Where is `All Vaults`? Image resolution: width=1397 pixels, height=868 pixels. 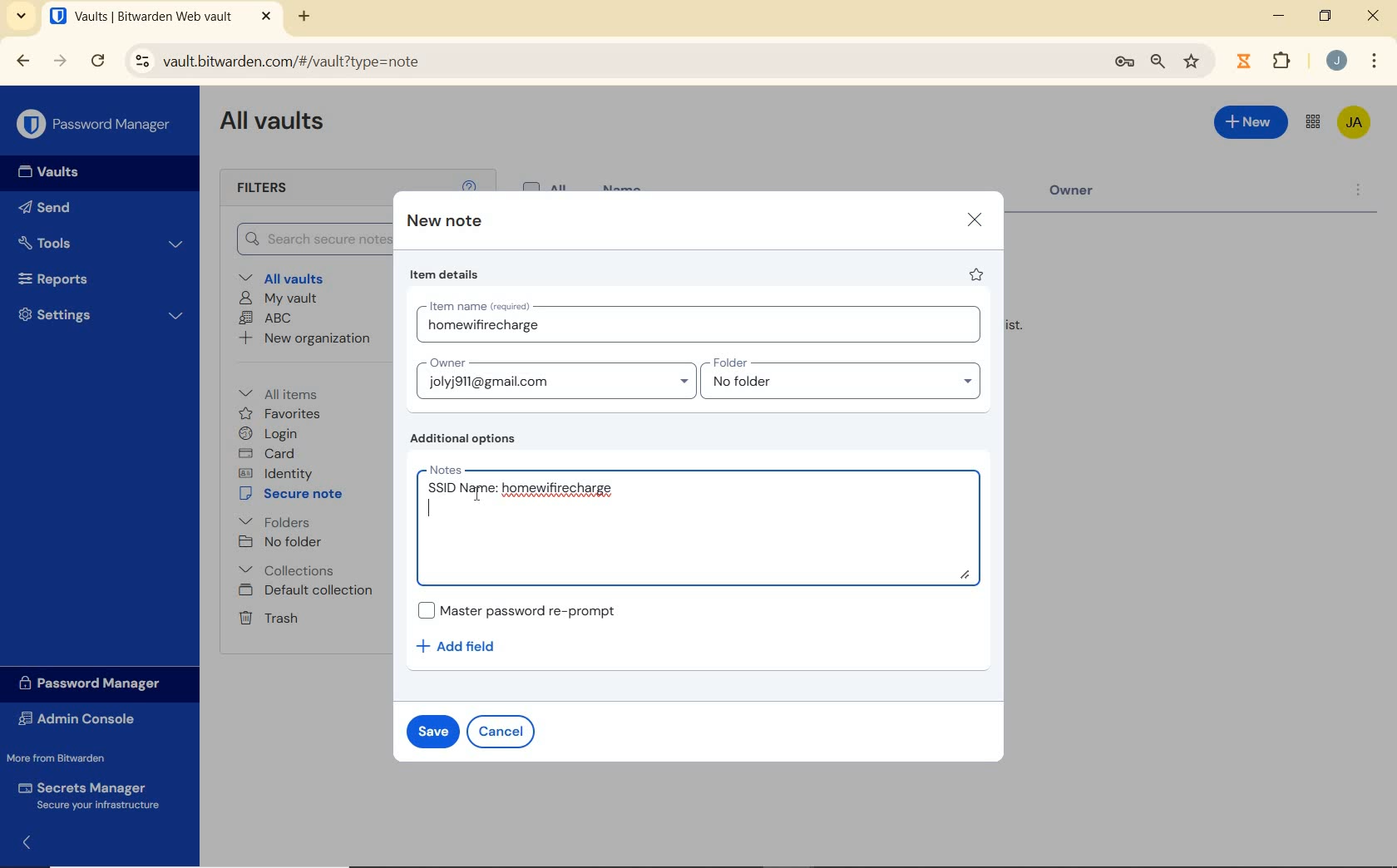
All Vaults is located at coordinates (273, 124).